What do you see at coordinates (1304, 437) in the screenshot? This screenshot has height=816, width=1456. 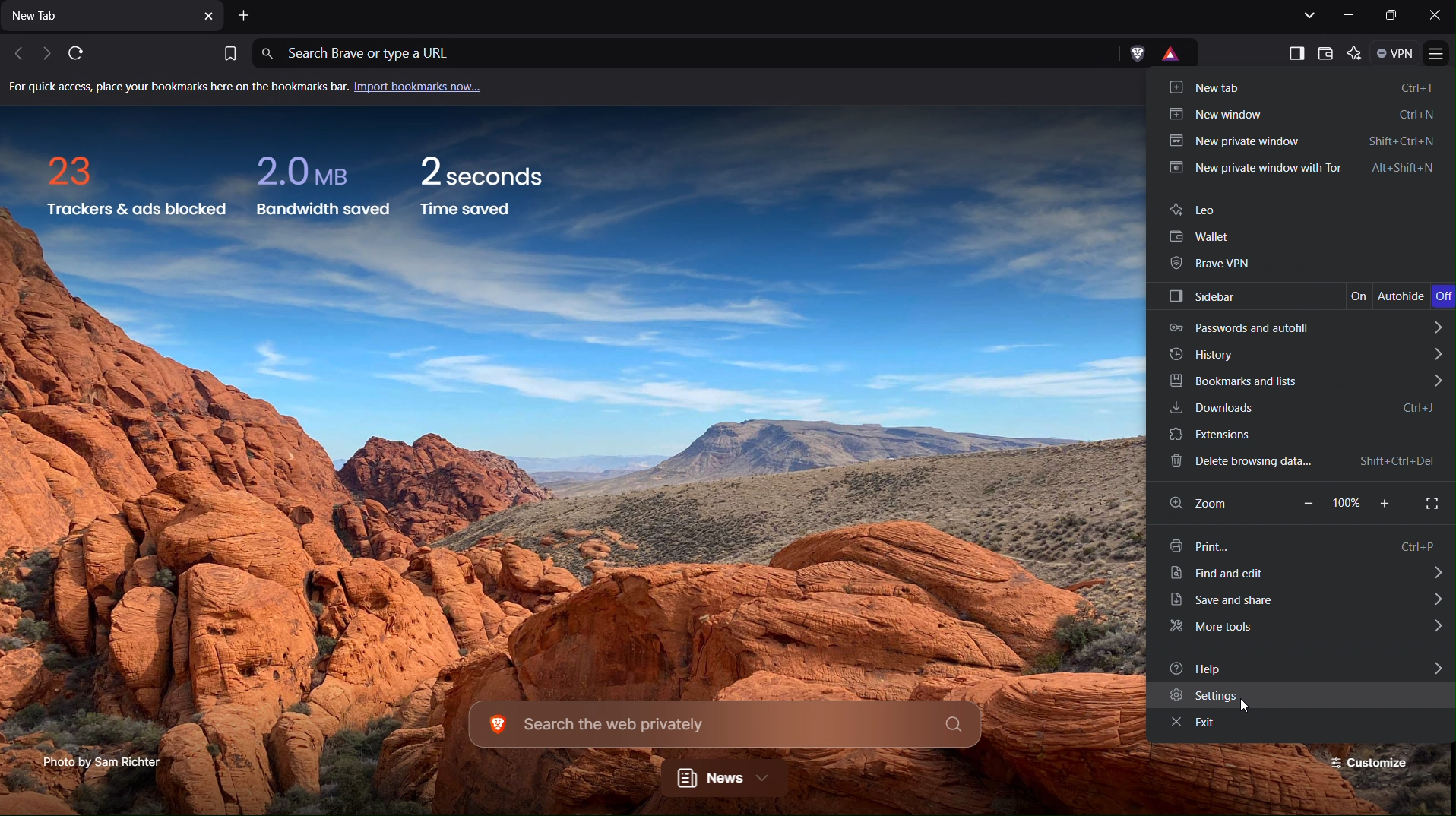 I see `Extensions` at bounding box center [1304, 437].